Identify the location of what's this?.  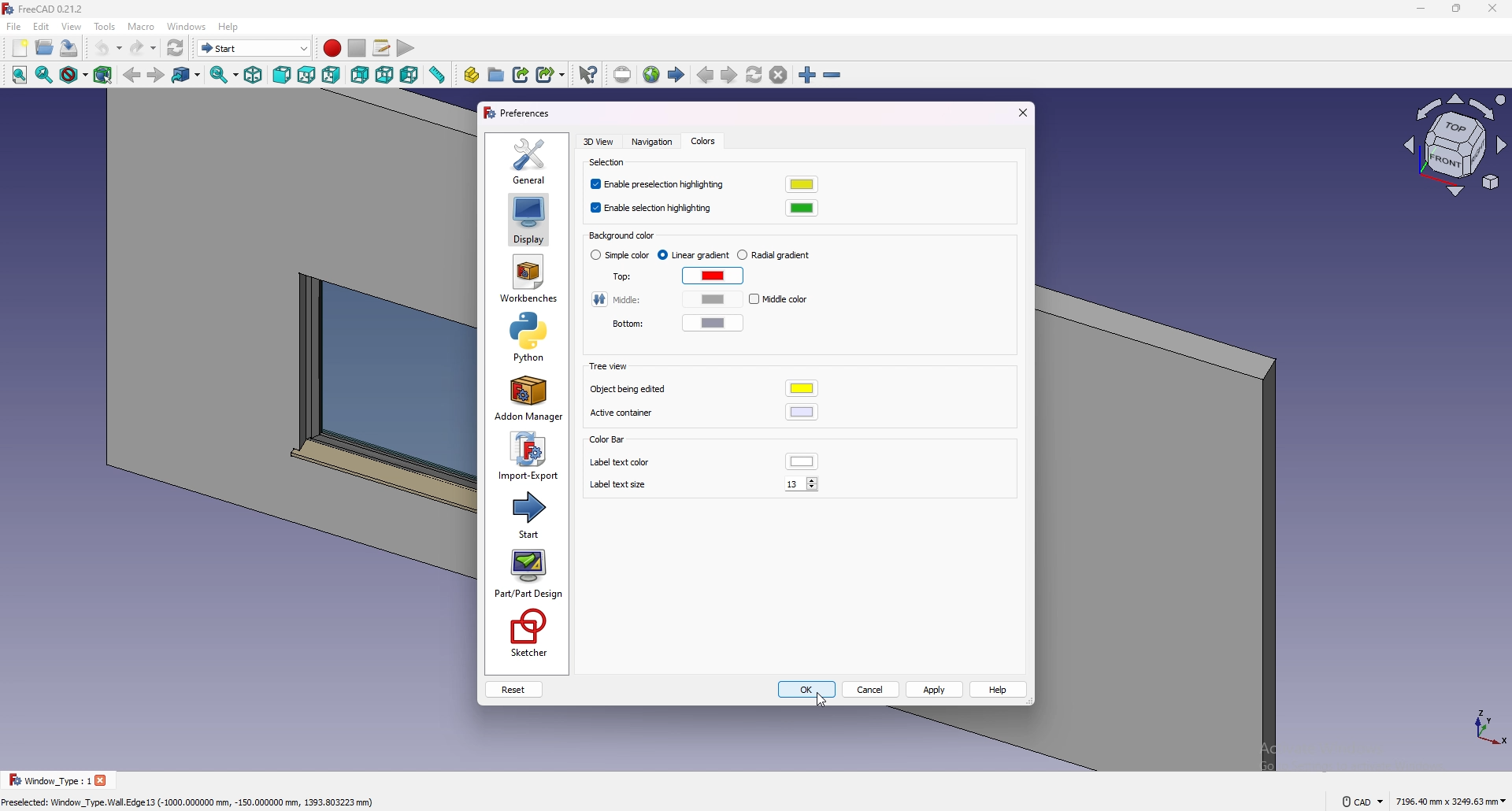
(588, 74).